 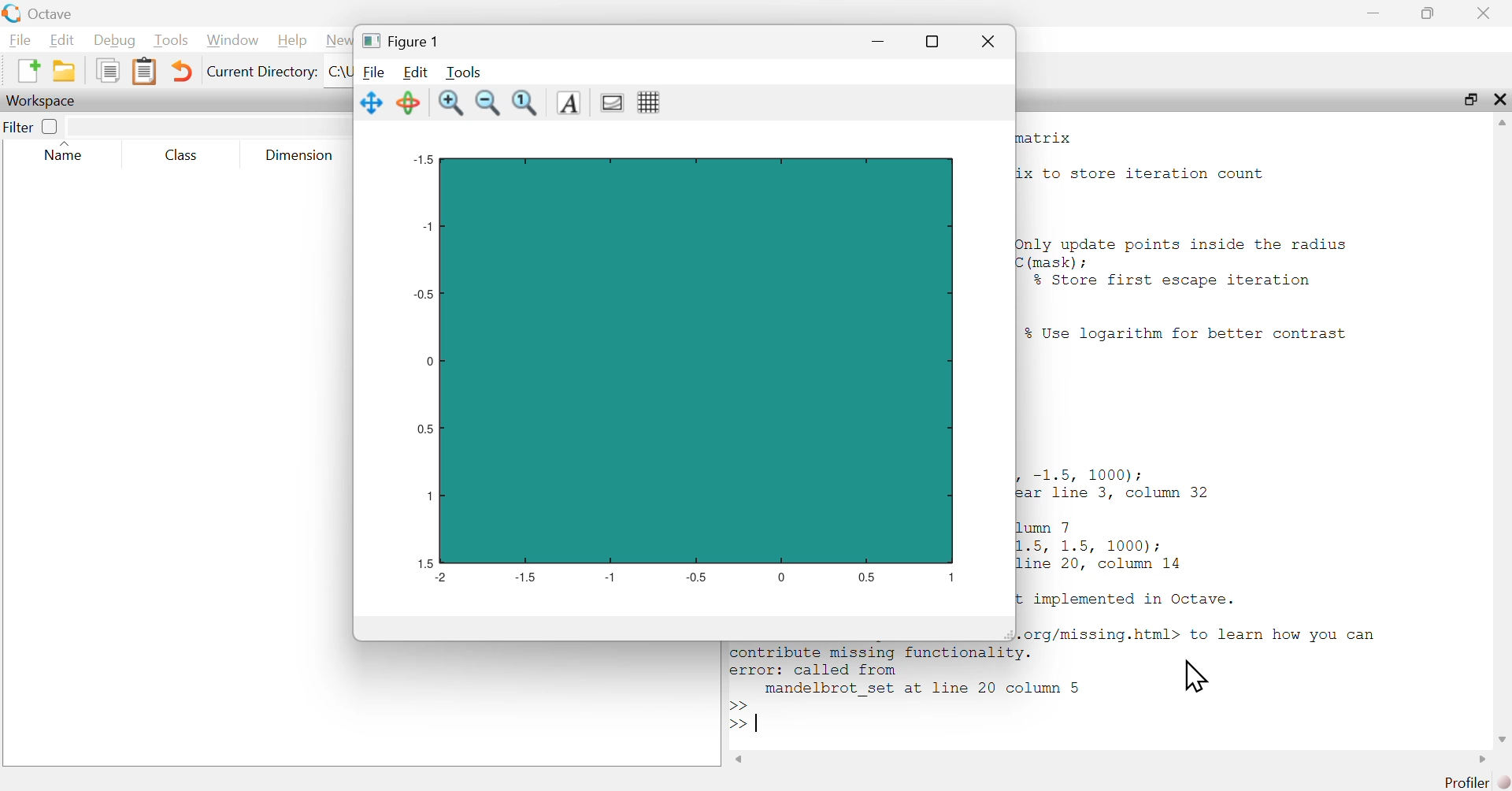 What do you see at coordinates (613, 103) in the screenshot?
I see `toggle current axis view` at bounding box center [613, 103].